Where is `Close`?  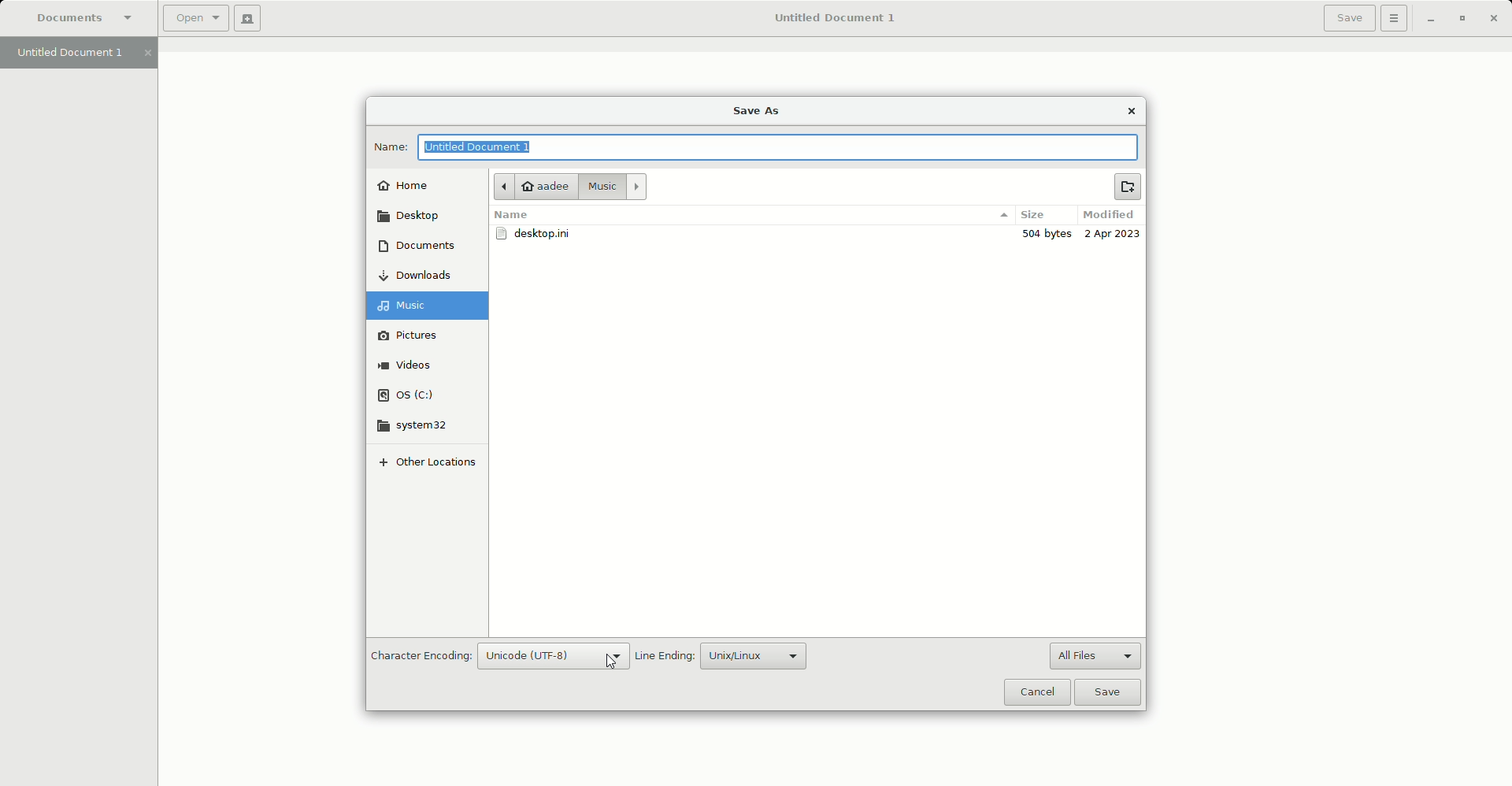 Close is located at coordinates (1132, 109).